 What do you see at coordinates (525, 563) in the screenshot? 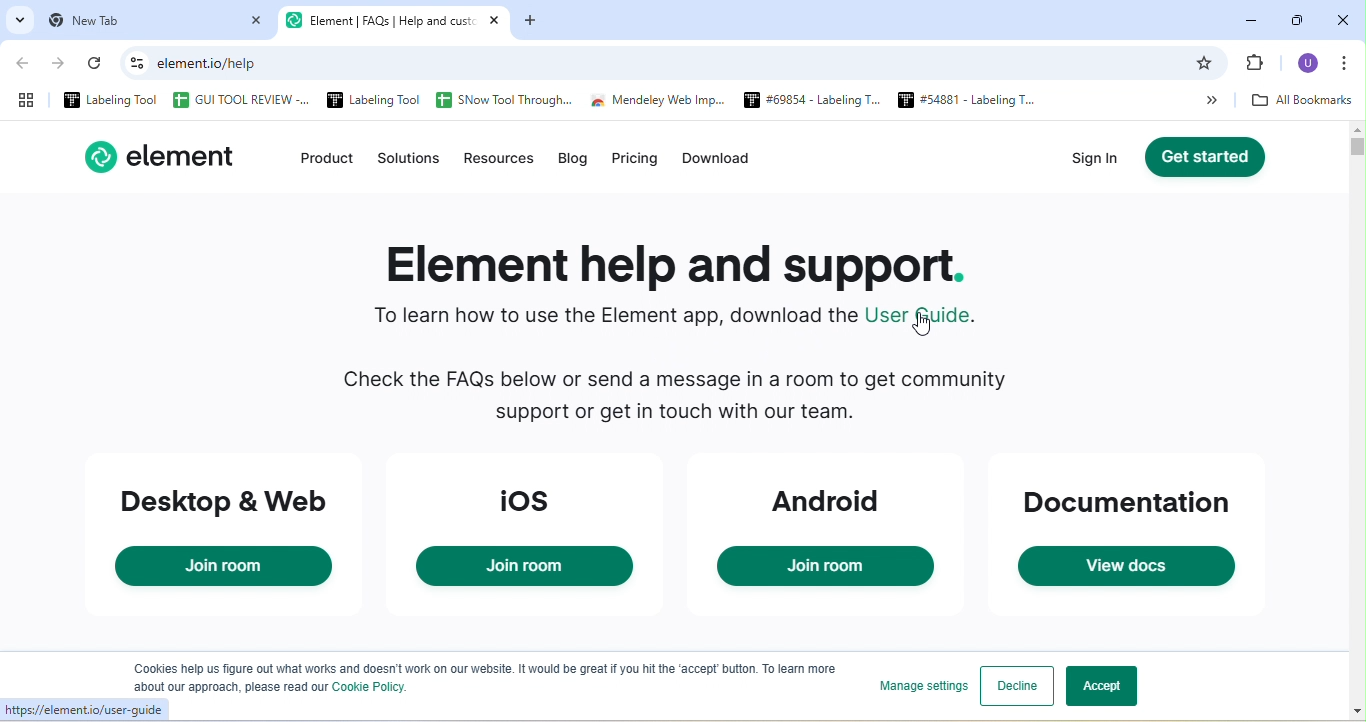
I see `Join room` at bounding box center [525, 563].